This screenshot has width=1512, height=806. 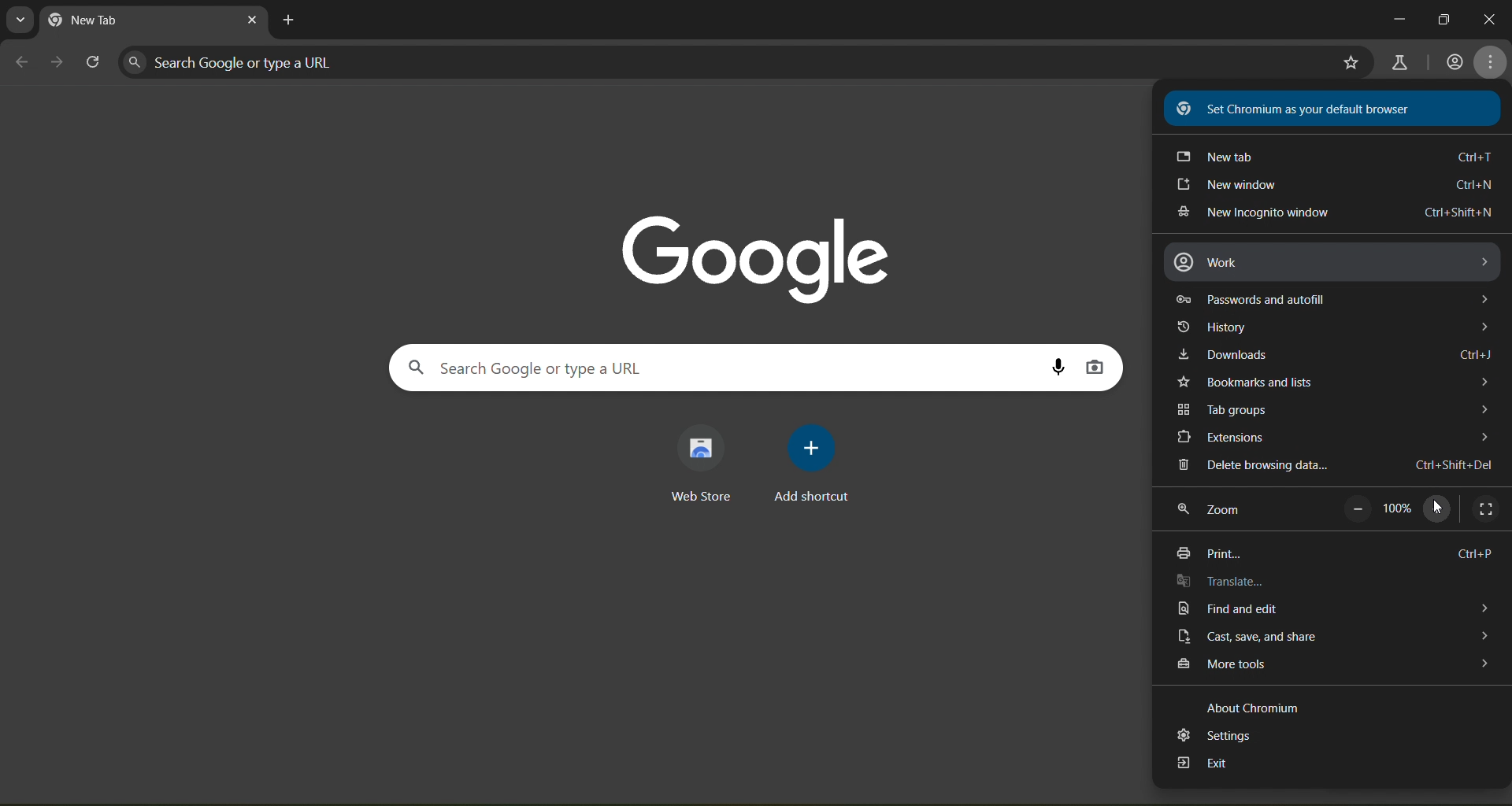 What do you see at coordinates (1333, 262) in the screenshot?
I see `work` at bounding box center [1333, 262].